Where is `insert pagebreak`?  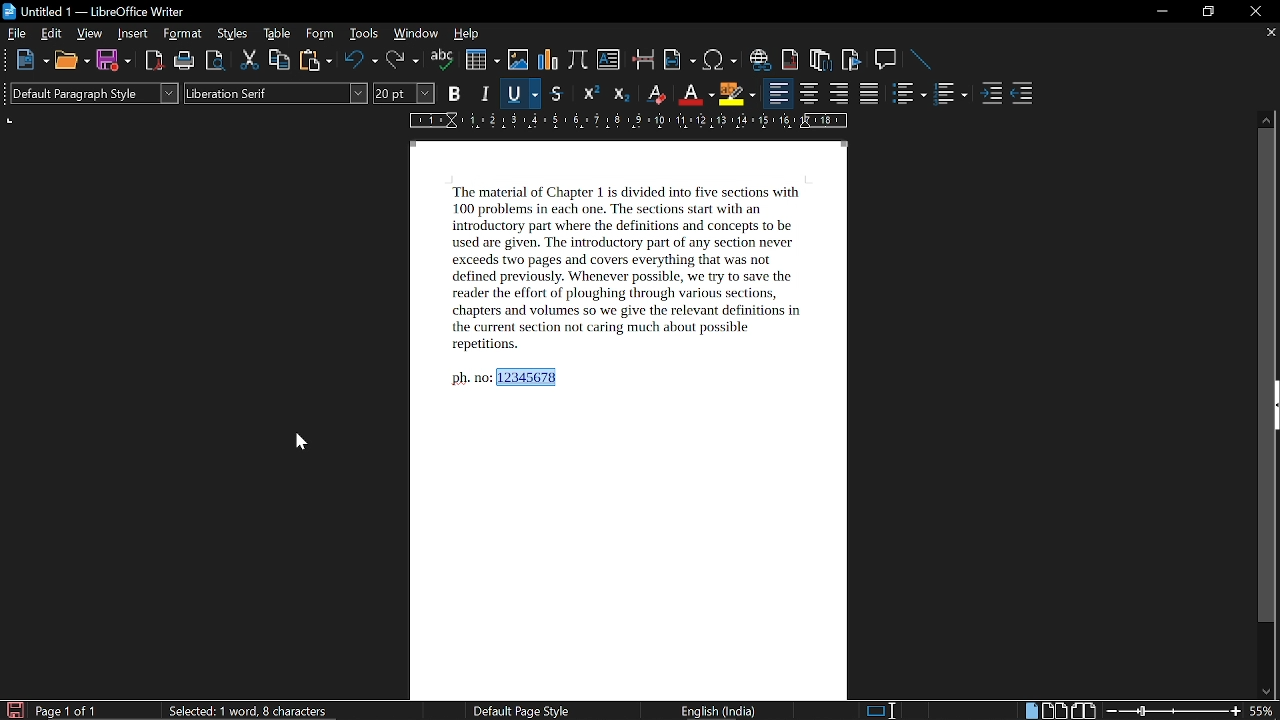
insert pagebreak is located at coordinates (642, 59).